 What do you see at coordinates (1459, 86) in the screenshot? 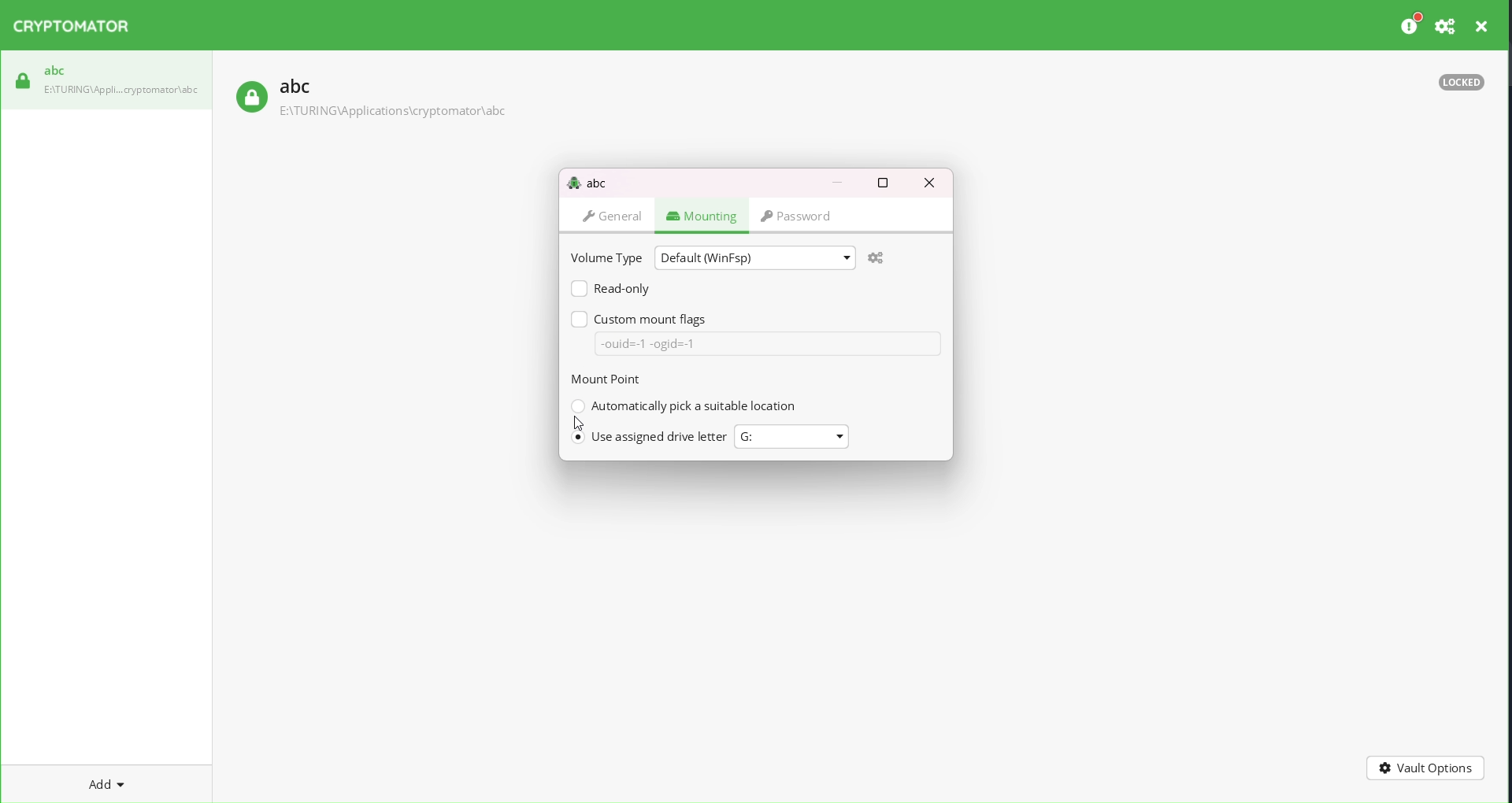
I see `locked` at bounding box center [1459, 86].